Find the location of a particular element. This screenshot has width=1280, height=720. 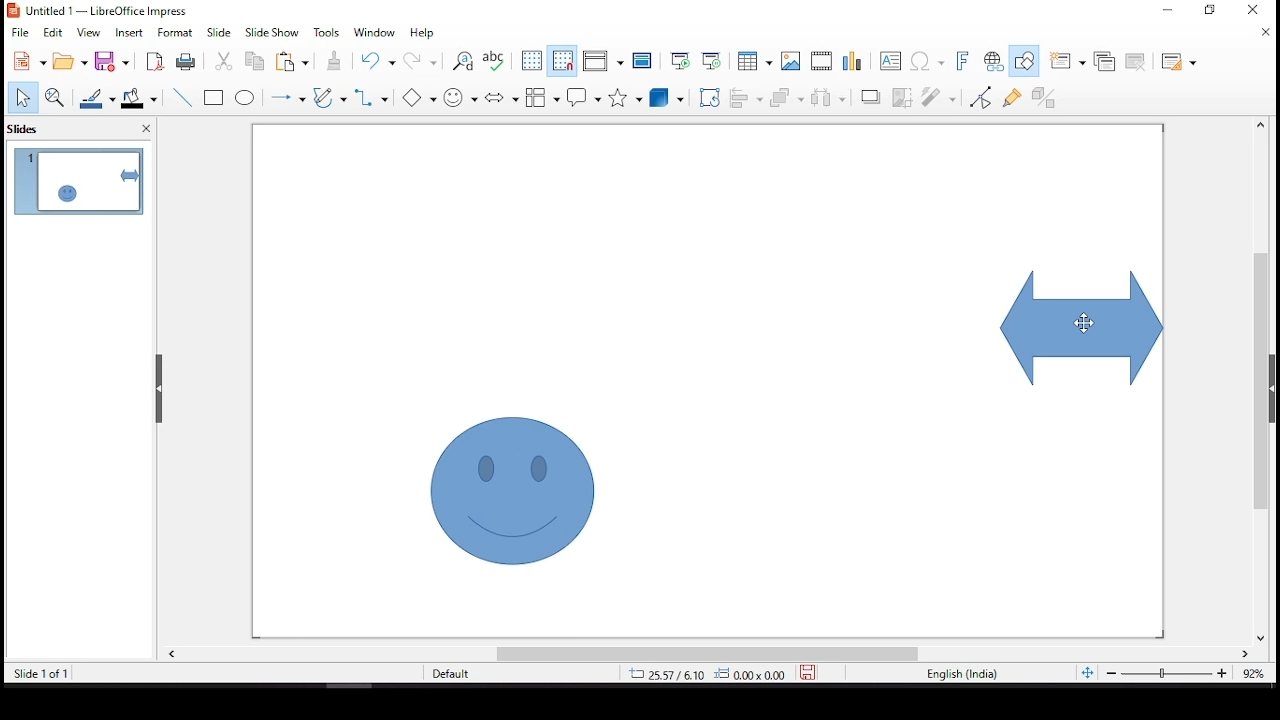

rectangle is located at coordinates (216, 99).